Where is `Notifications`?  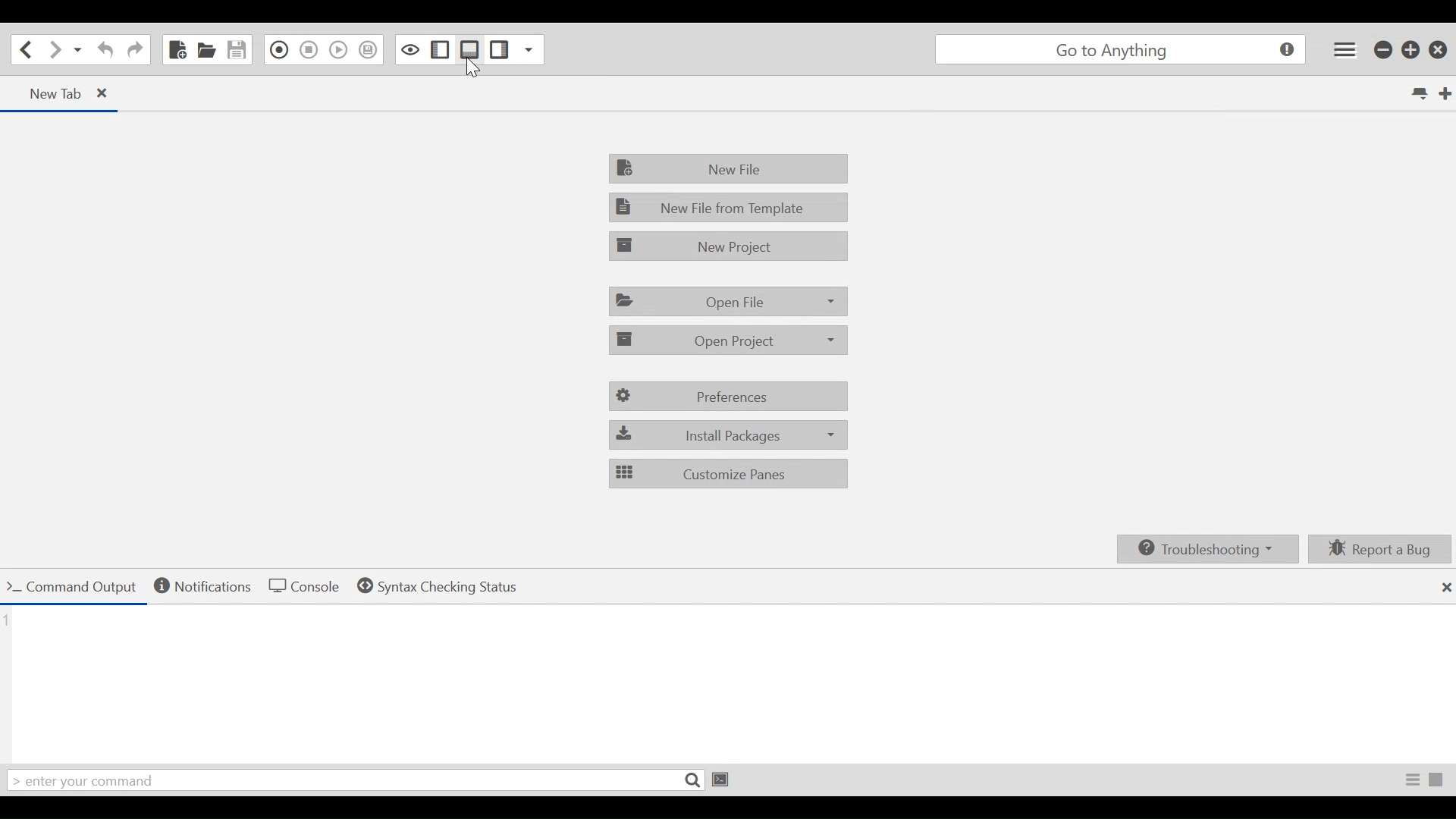 Notifications is located at coordinates (206, 588).